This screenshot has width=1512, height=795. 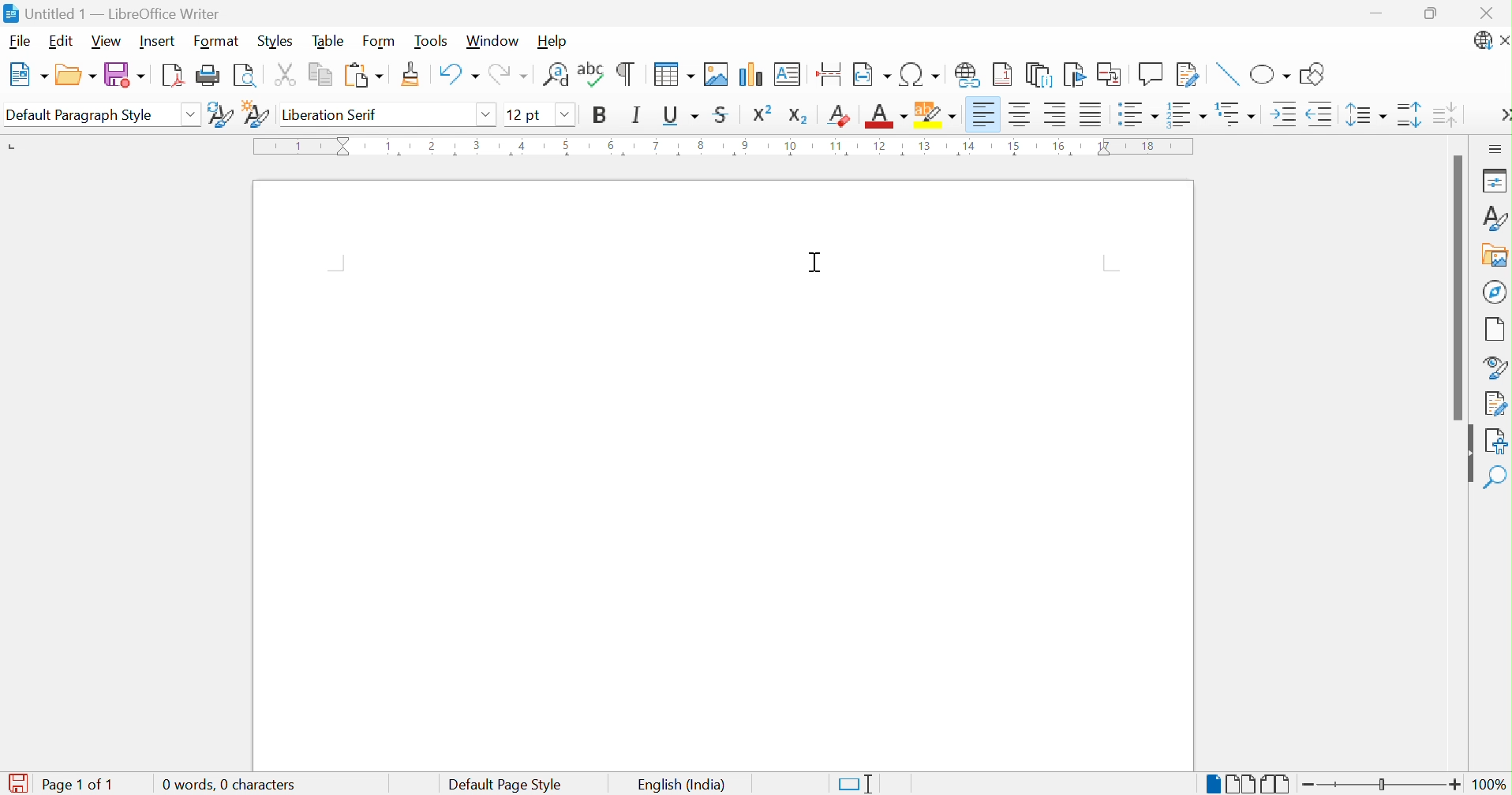 I want to click on Insert comment, so click(x=1149, y=76).